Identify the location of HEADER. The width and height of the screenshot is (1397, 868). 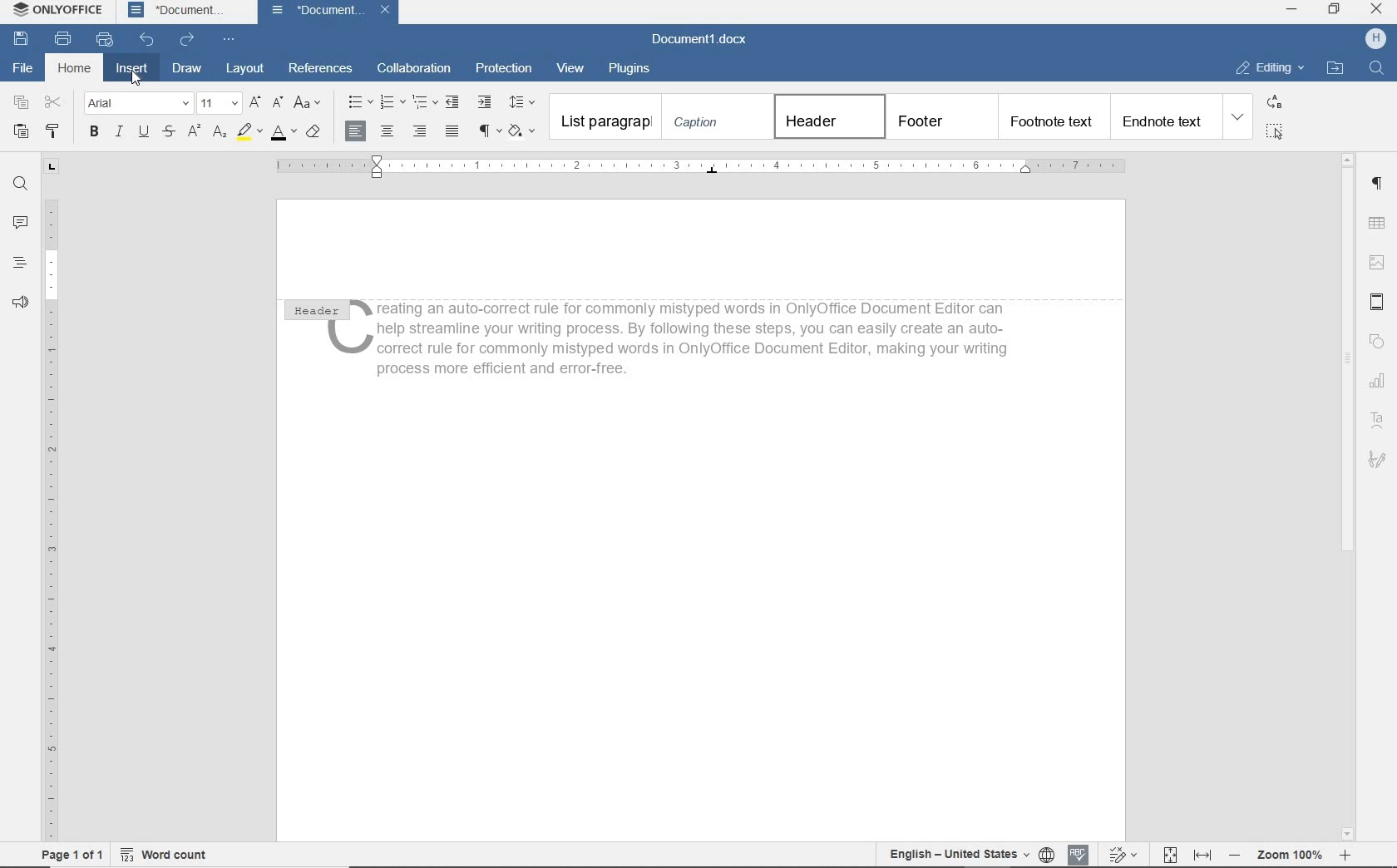
(314, 308).